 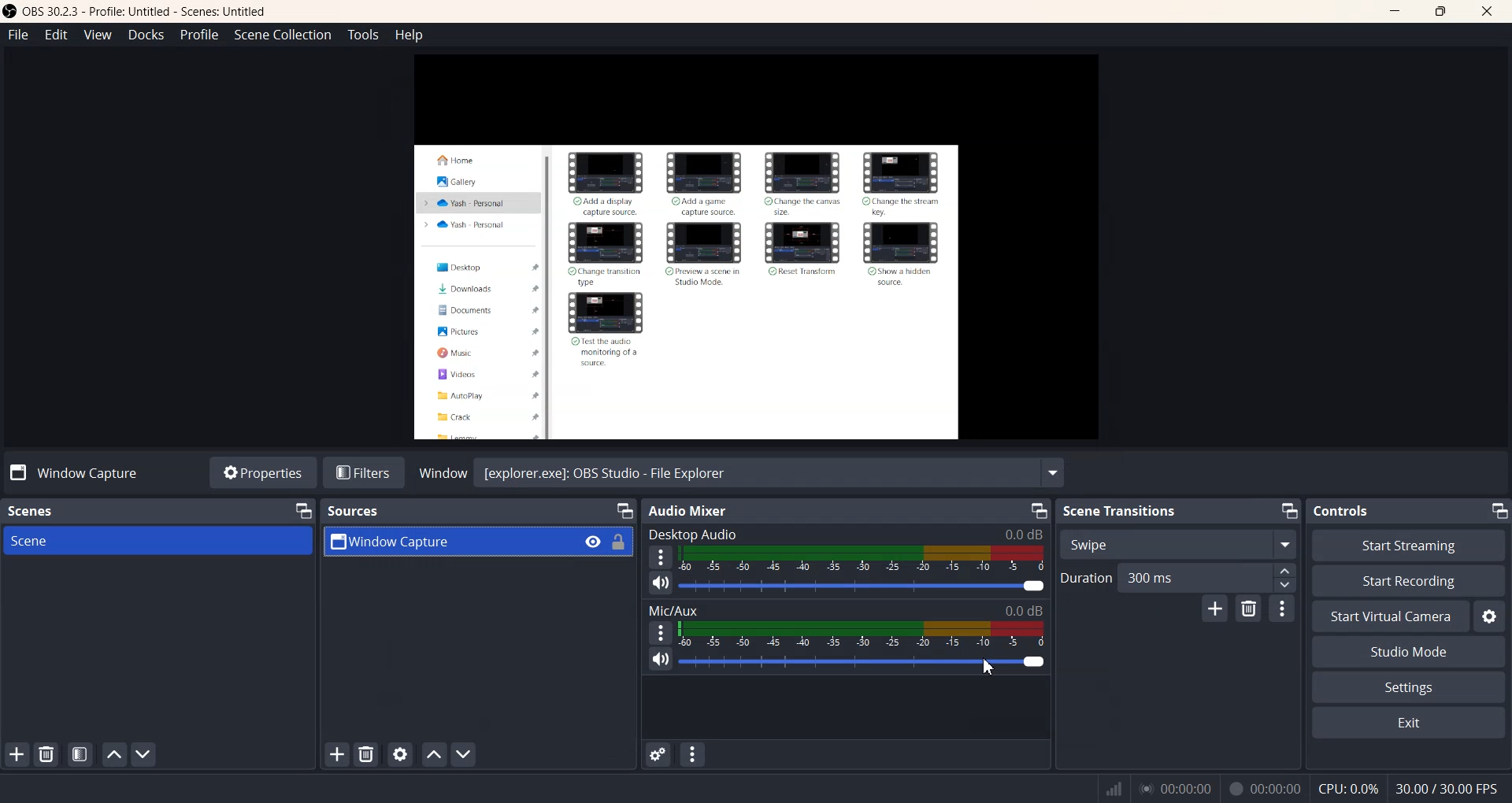 What do you see at coordinates (1248, 608) in the screenshot?
I see `Remove configuration transition` at bounding box center [1248, 608].